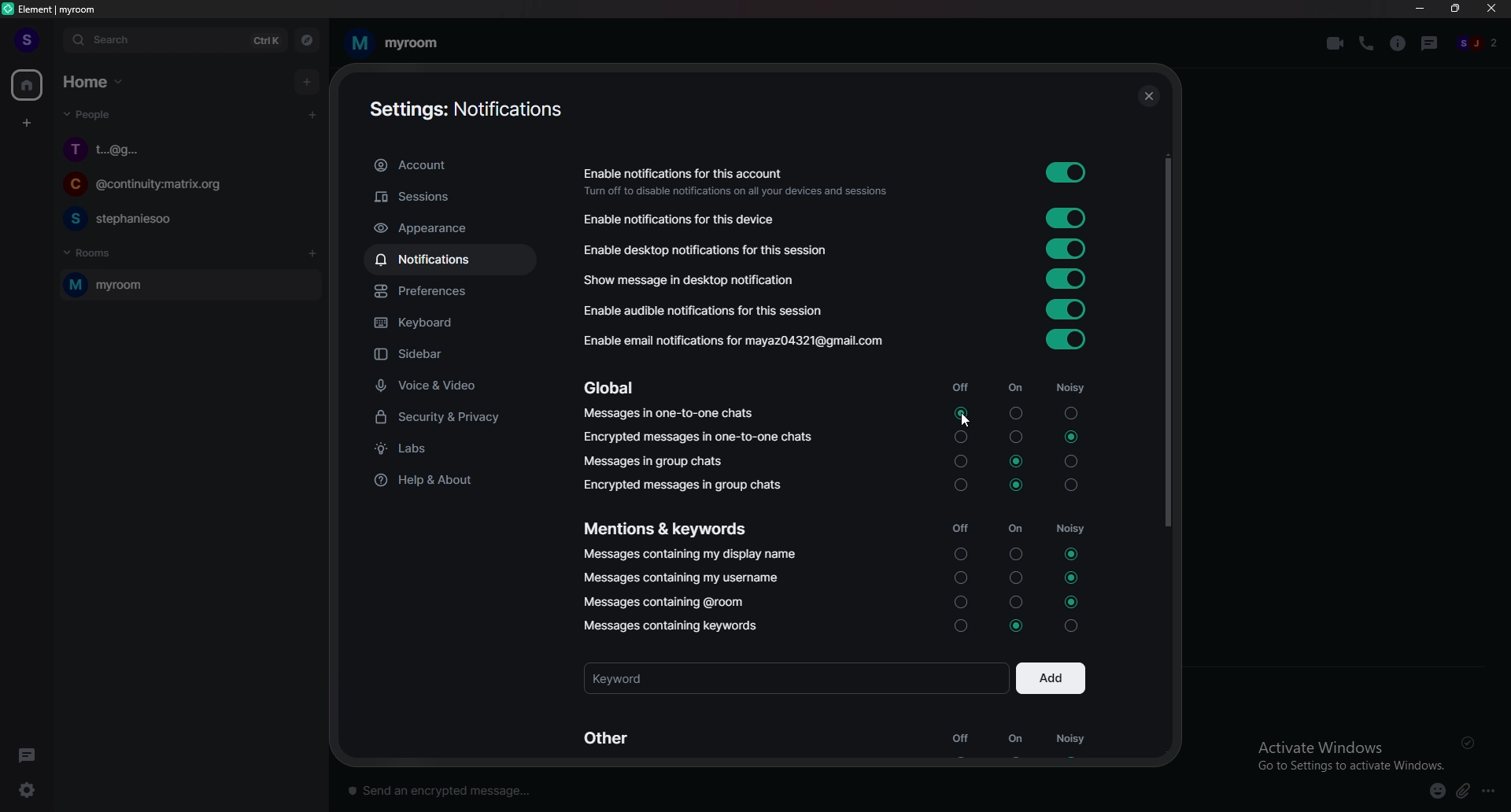 This screenshot has width=1511, height=812. What do you see at coordinates (181, 186) in the screenshot?
I see `chat` at bounding box center [181, 186].